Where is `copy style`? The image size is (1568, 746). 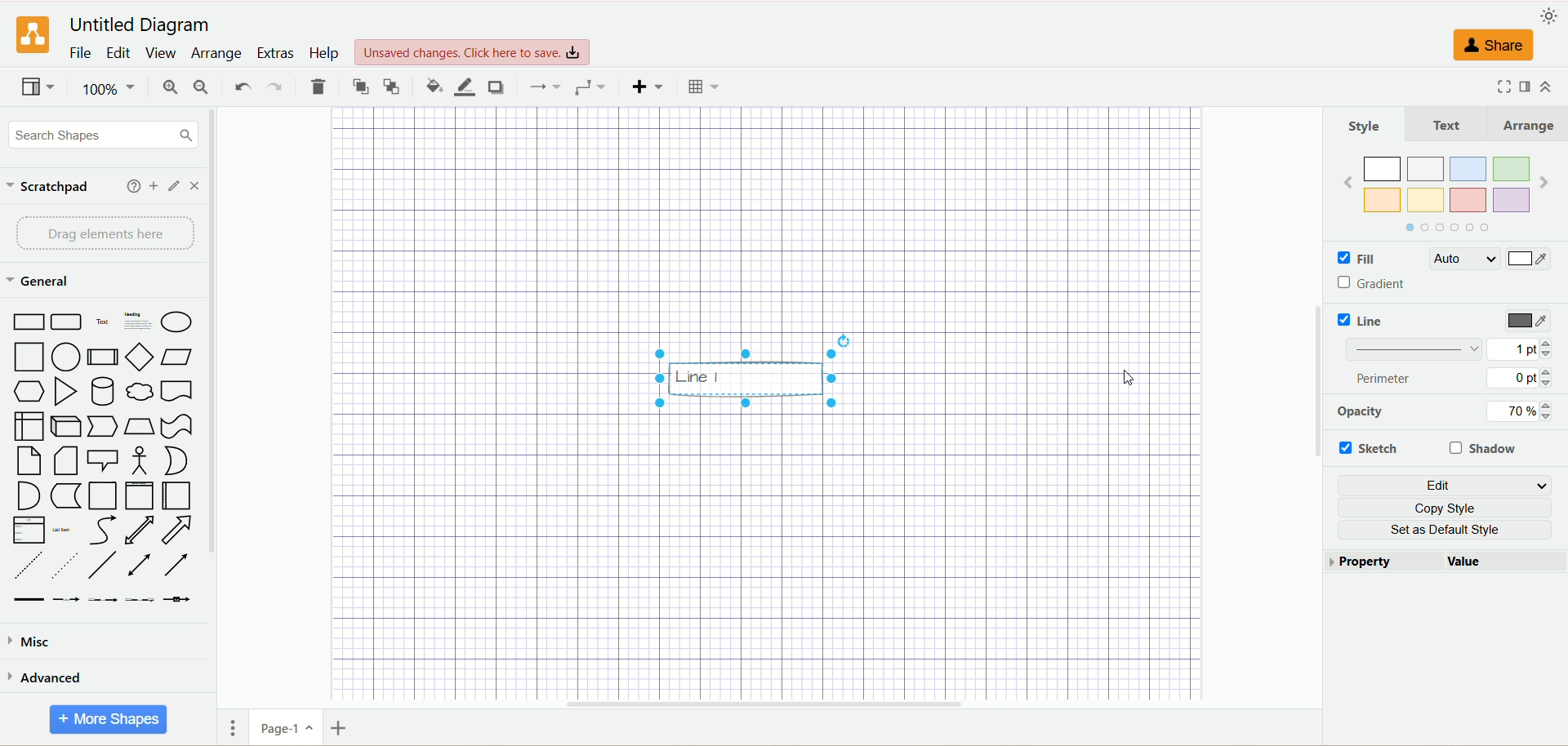
copy style is located at coordinates (1445, 507).